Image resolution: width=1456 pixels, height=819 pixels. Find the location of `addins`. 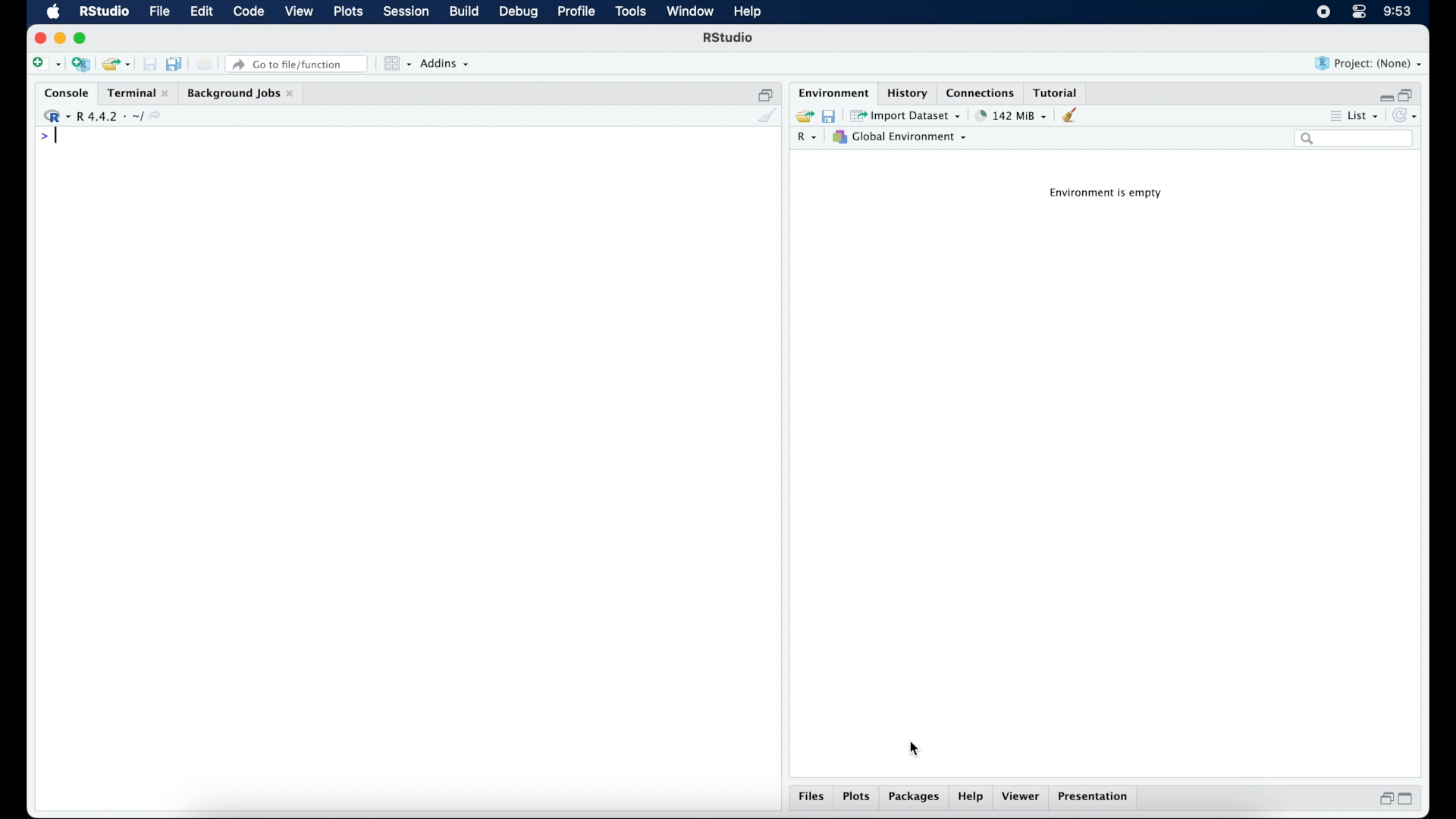

addins is located at coordinates (447, 64).